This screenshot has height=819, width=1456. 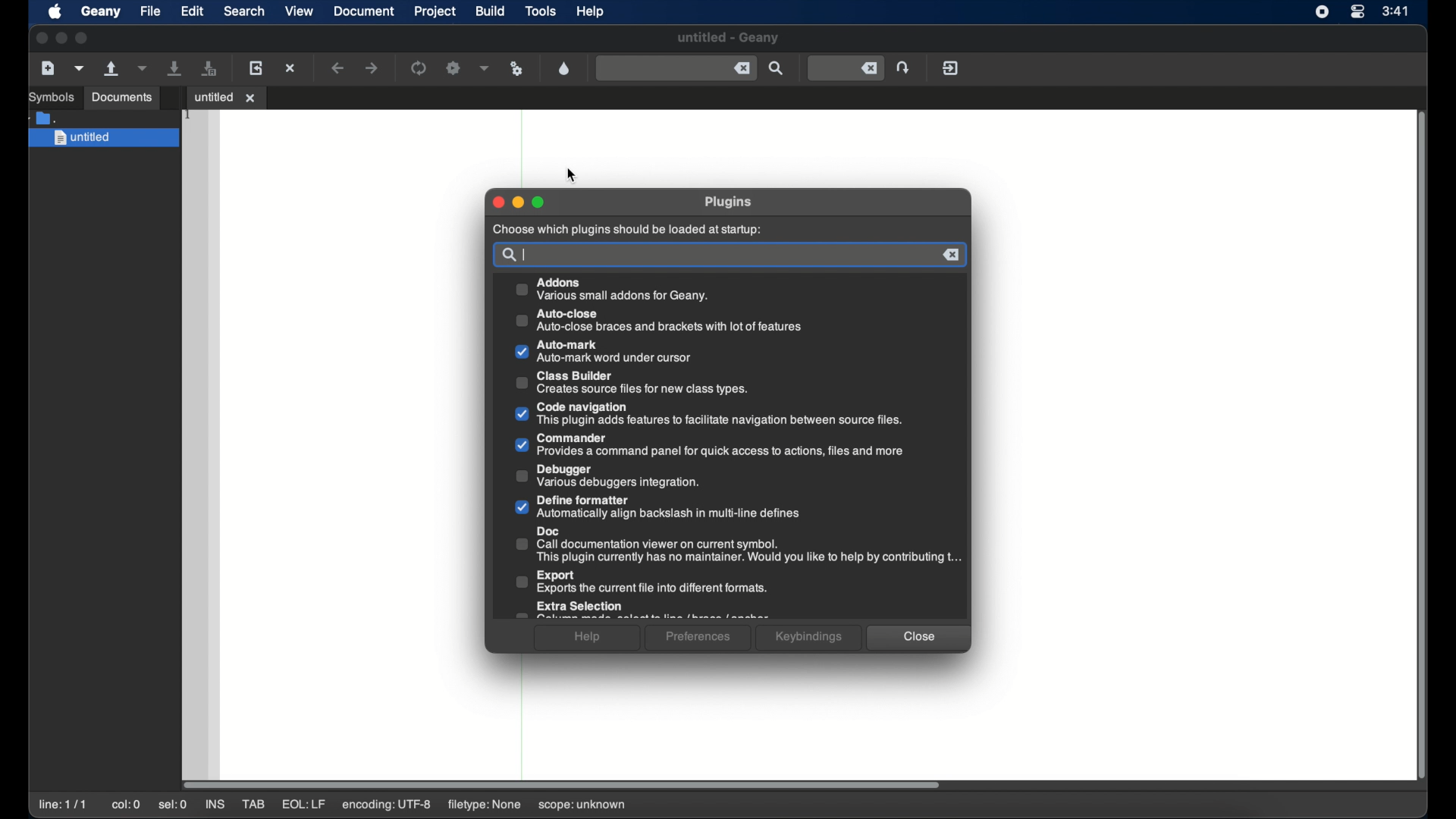 I want to click on keybindings, so click(x=808, y=638).